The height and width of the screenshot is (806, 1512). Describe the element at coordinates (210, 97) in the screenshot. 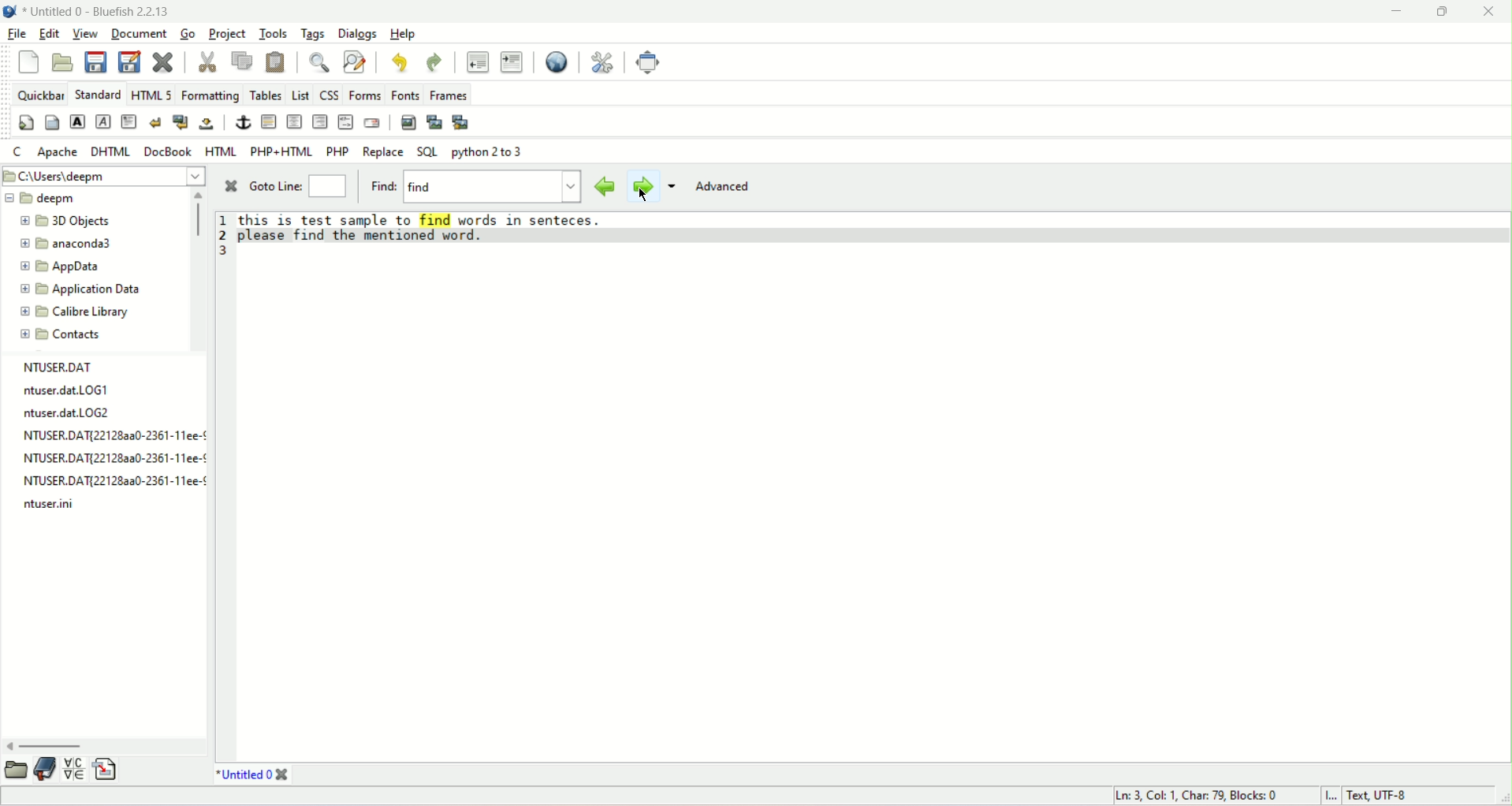

I see `formatting` at that location.